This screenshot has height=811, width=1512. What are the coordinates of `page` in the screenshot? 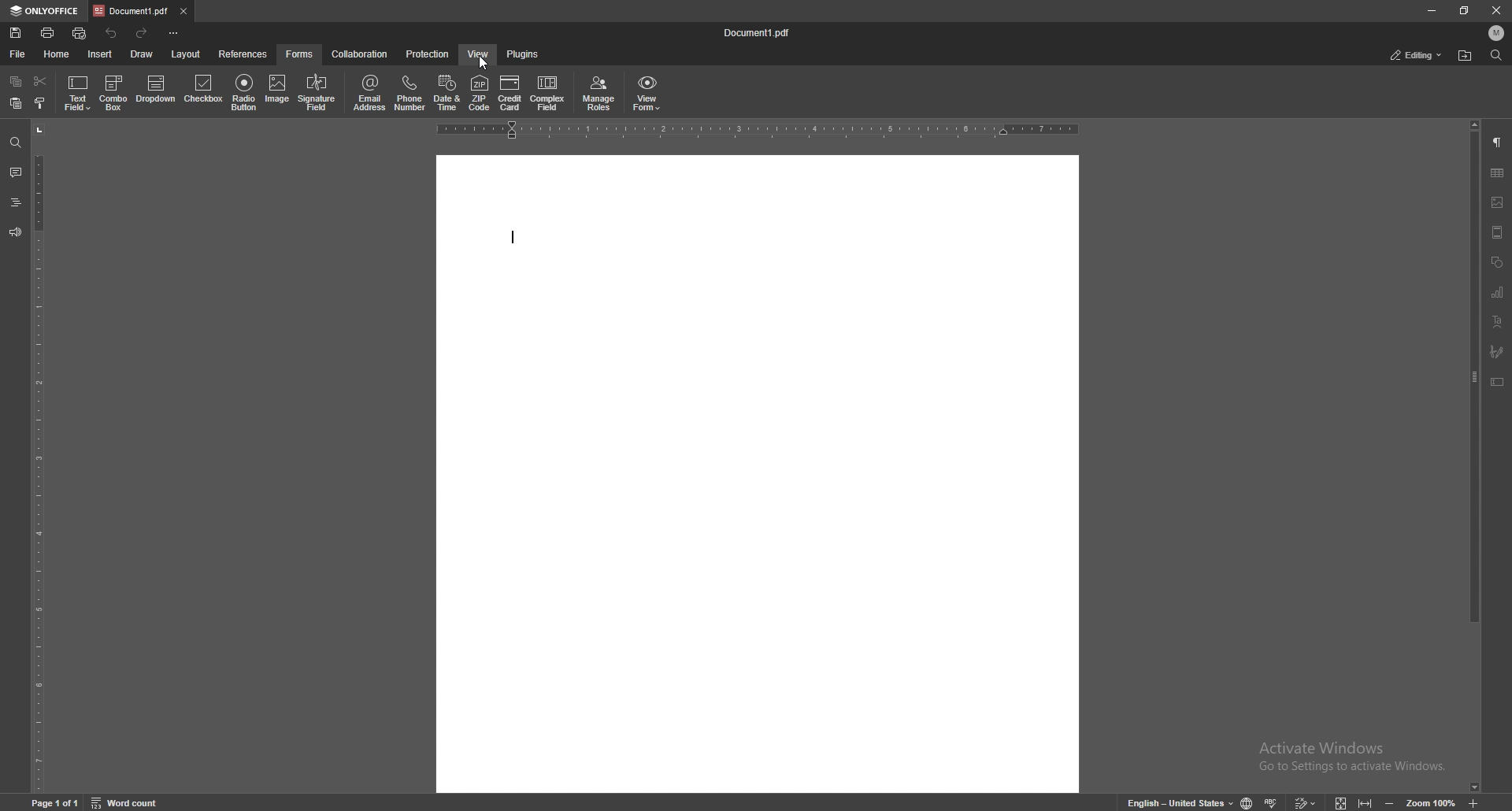 It's located at (57, 802).